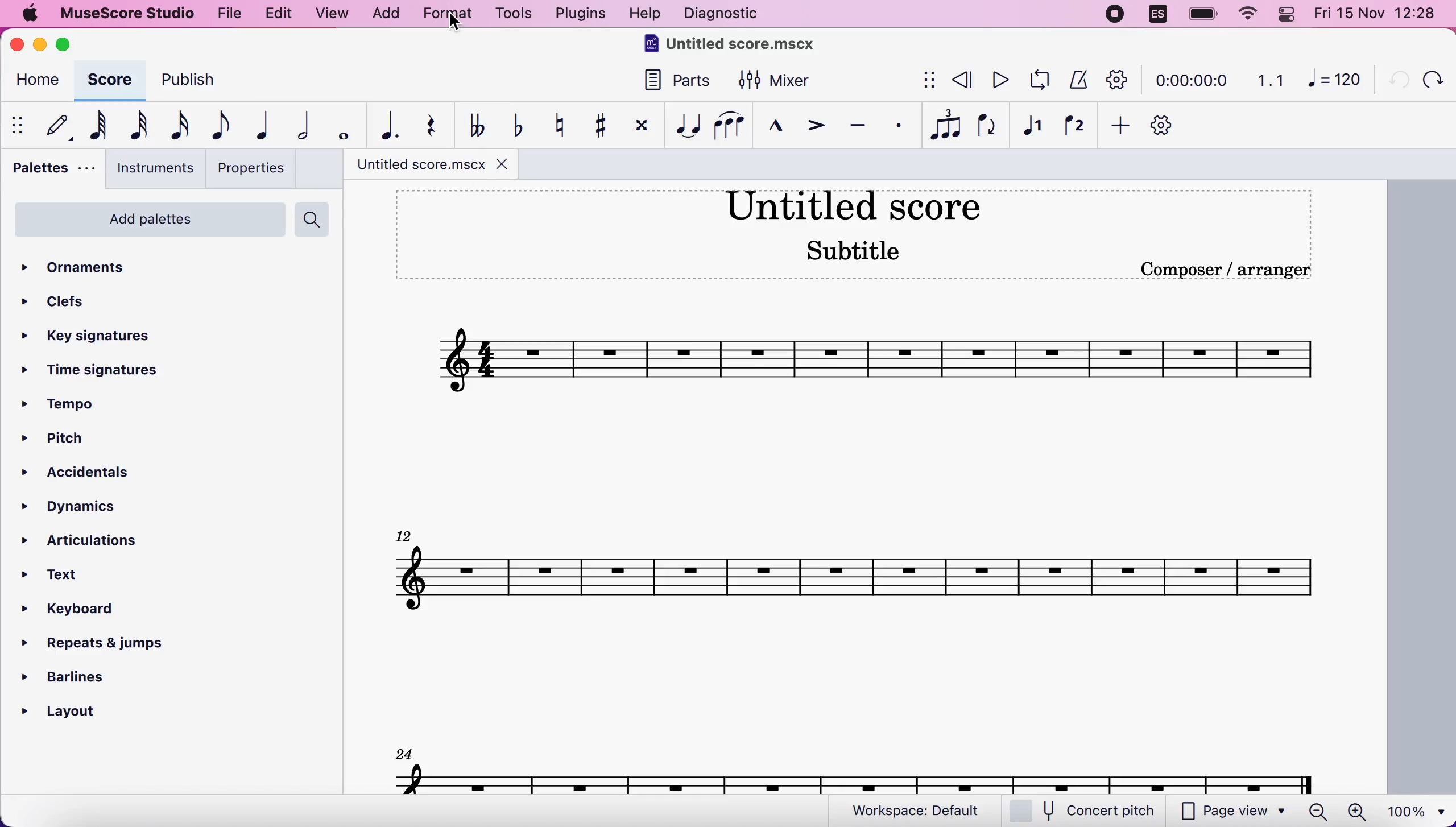  I want to click on default, so click(53, 125).